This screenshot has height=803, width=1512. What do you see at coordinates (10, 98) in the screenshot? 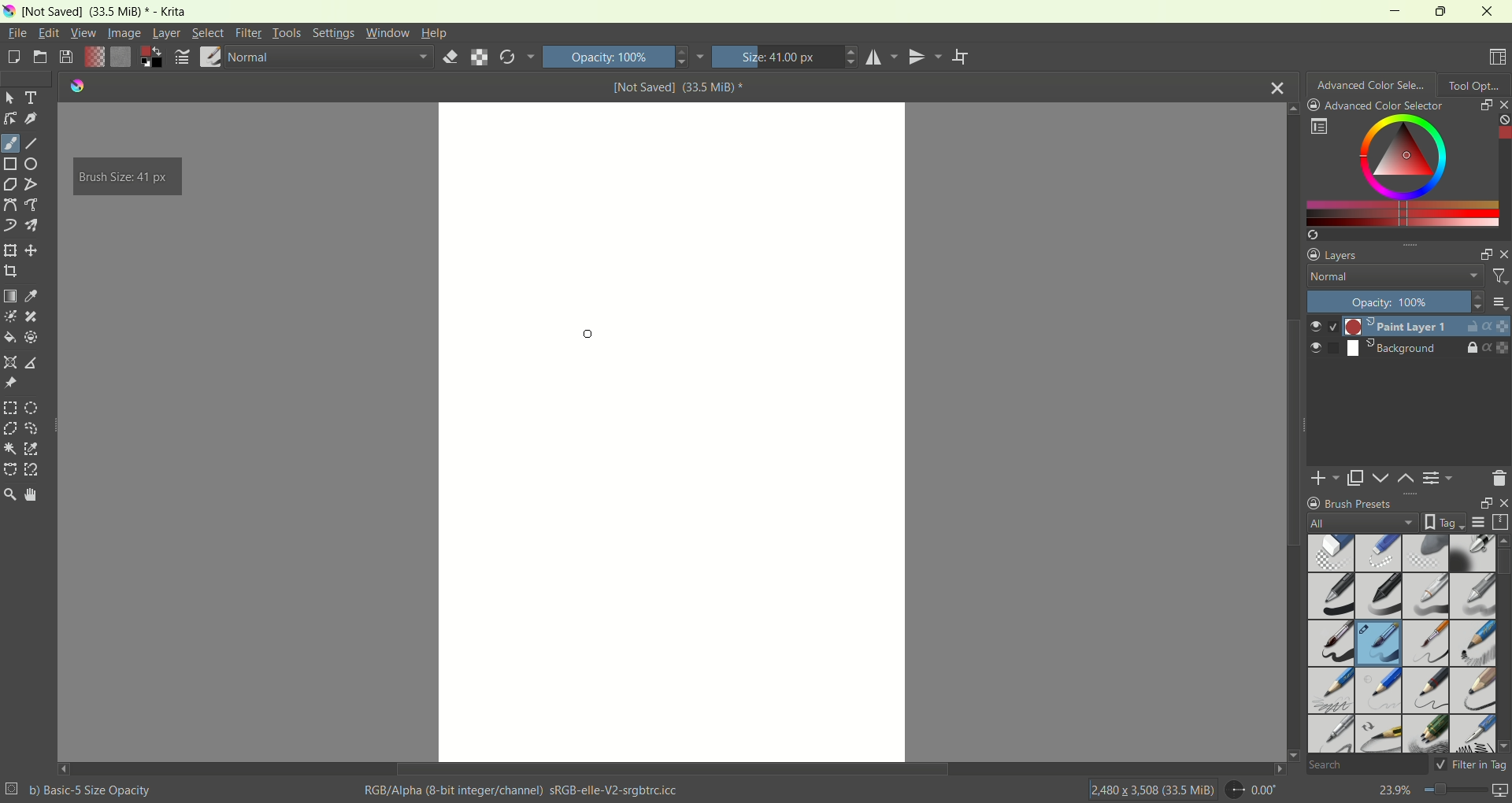
I see `select shapes` at bounding box center [10, 98].